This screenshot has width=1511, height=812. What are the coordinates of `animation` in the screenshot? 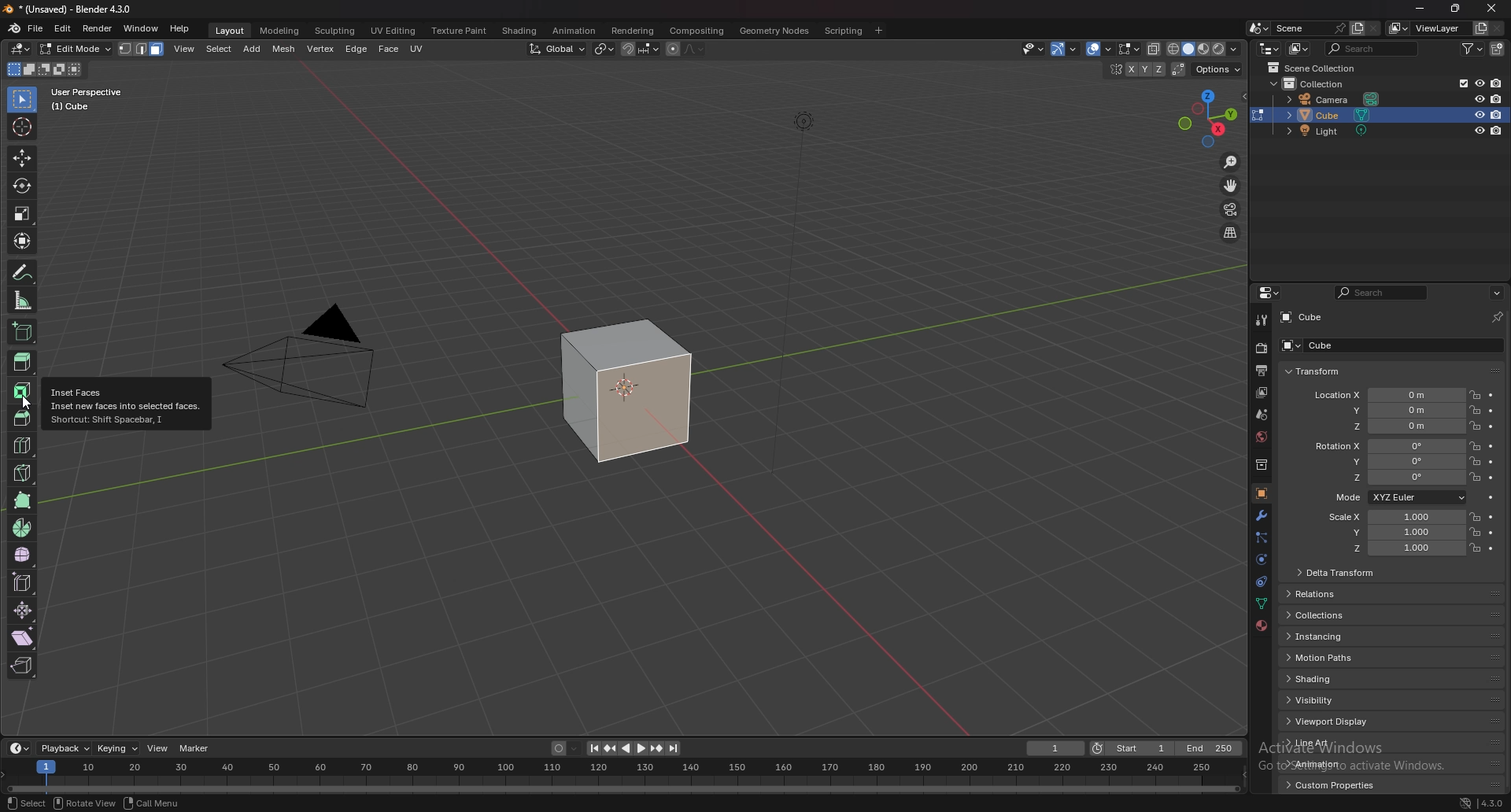 It's located at (1331, 763).